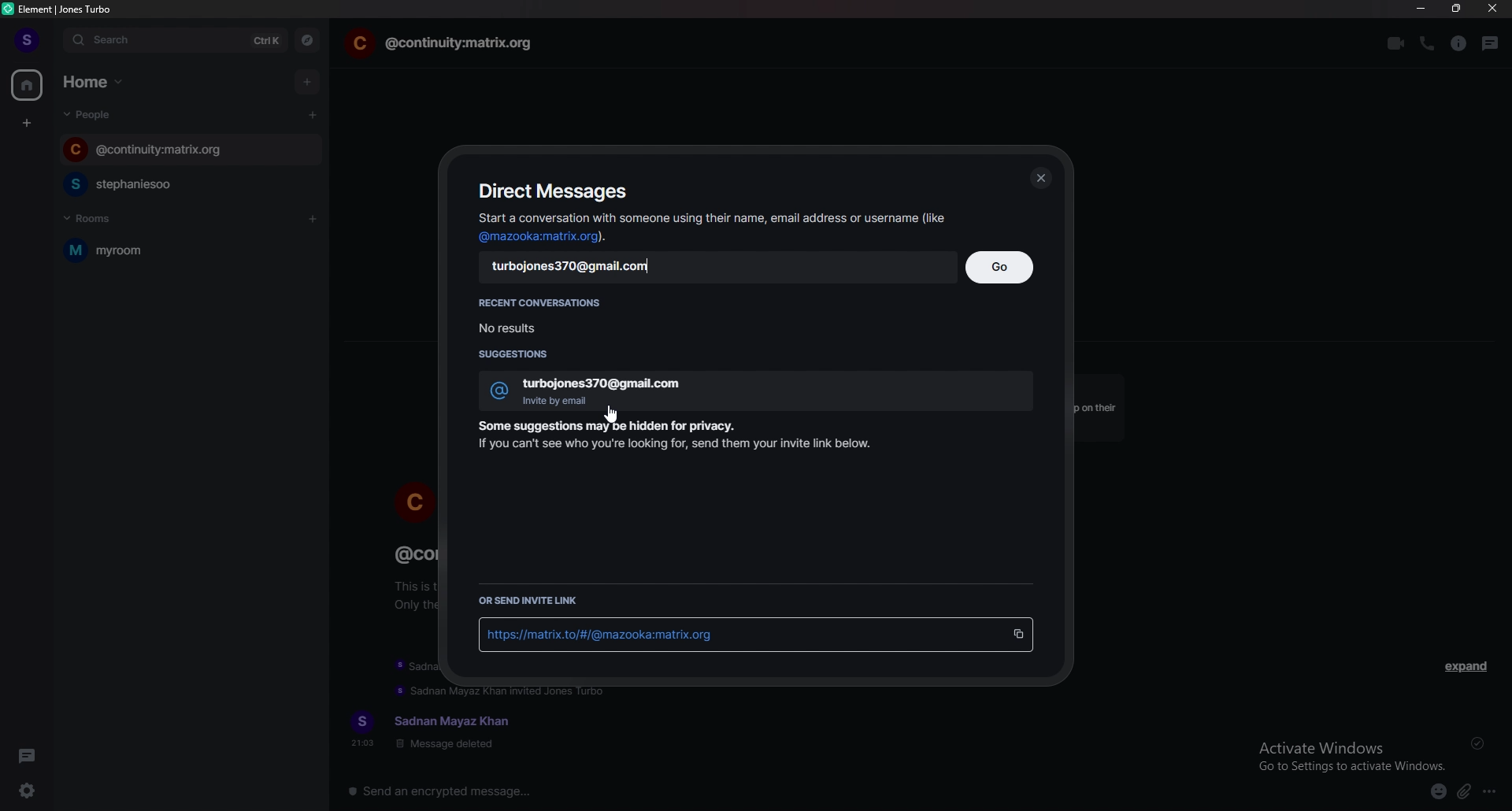  I want to click on go, so click(1001, 266).